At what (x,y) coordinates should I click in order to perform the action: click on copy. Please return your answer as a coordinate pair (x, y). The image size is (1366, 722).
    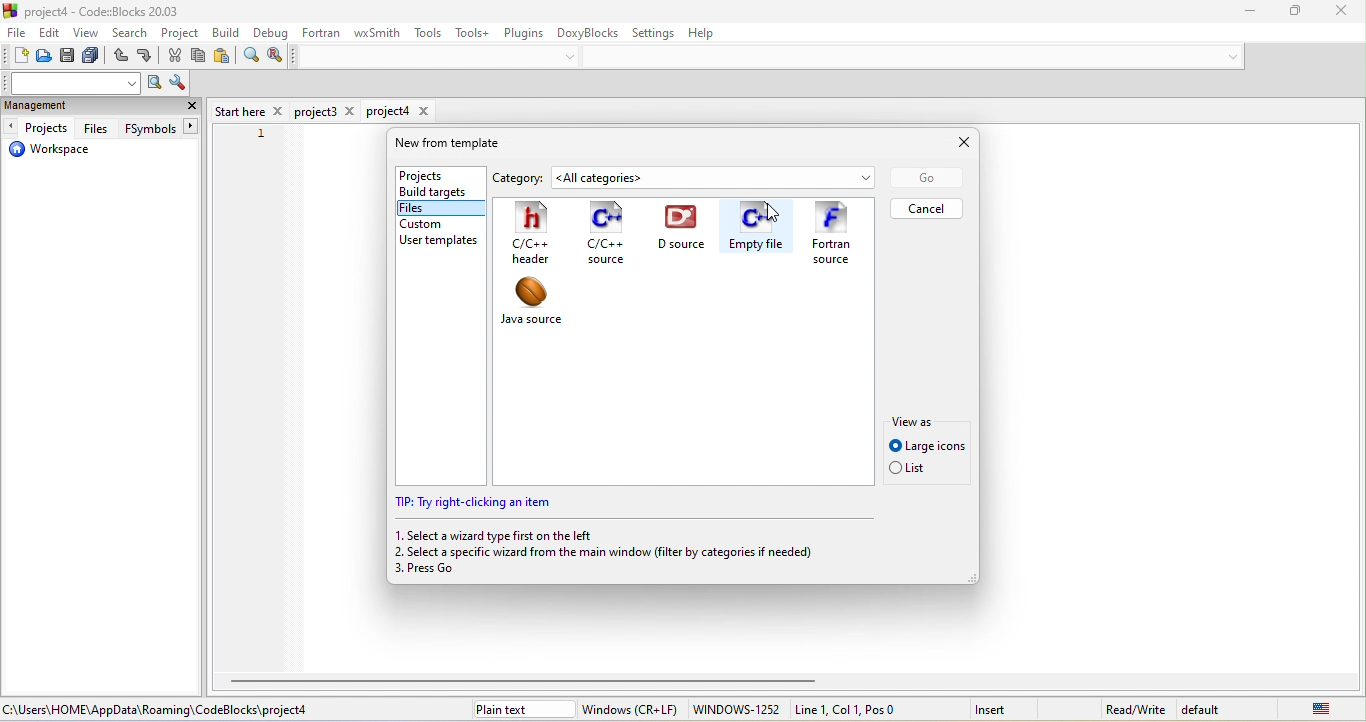
    Looking at the image, I should click on (200, 57).